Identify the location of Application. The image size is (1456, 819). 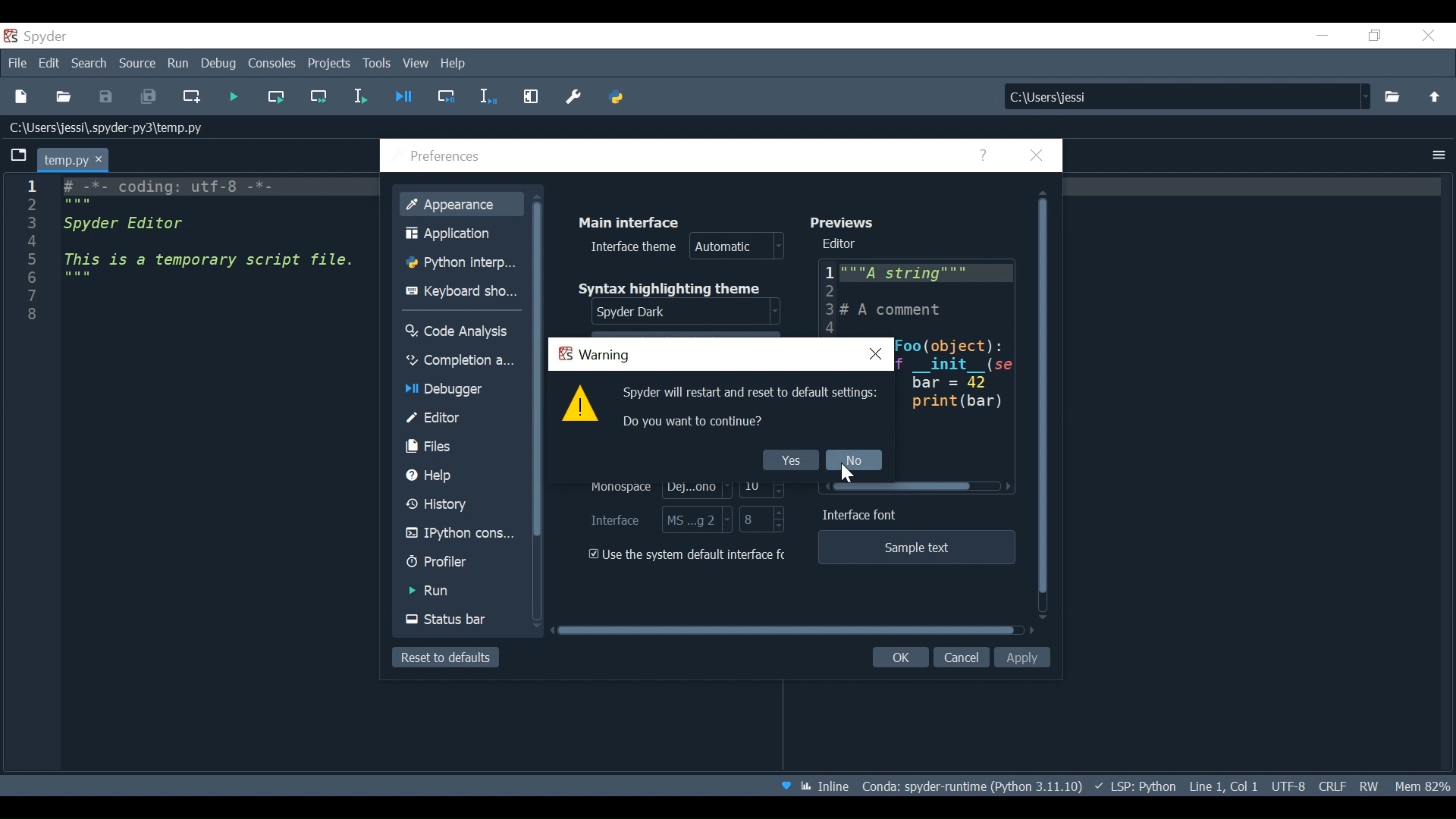
(462, 234).